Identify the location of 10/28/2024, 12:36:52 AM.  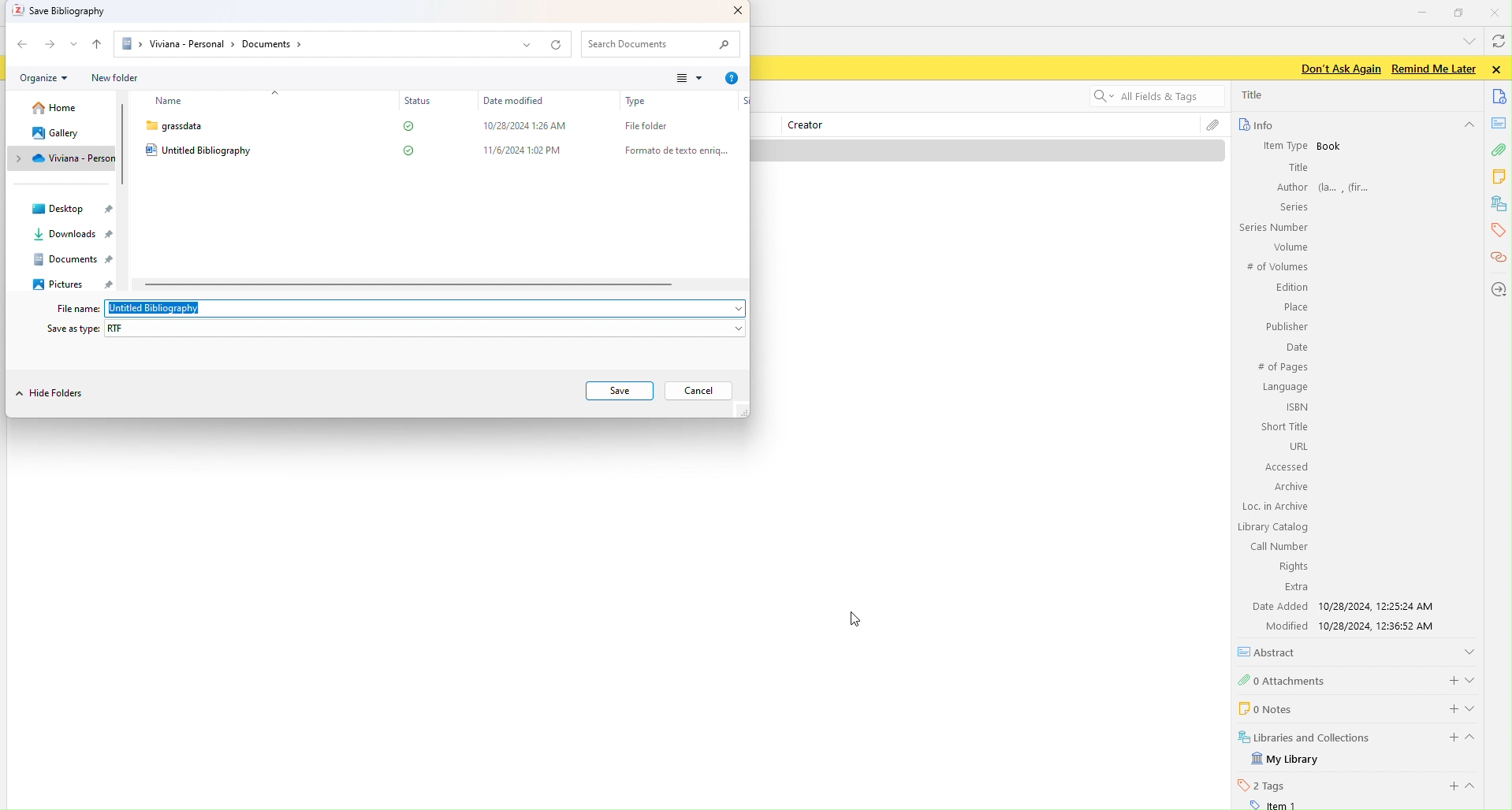
(1383, 626).